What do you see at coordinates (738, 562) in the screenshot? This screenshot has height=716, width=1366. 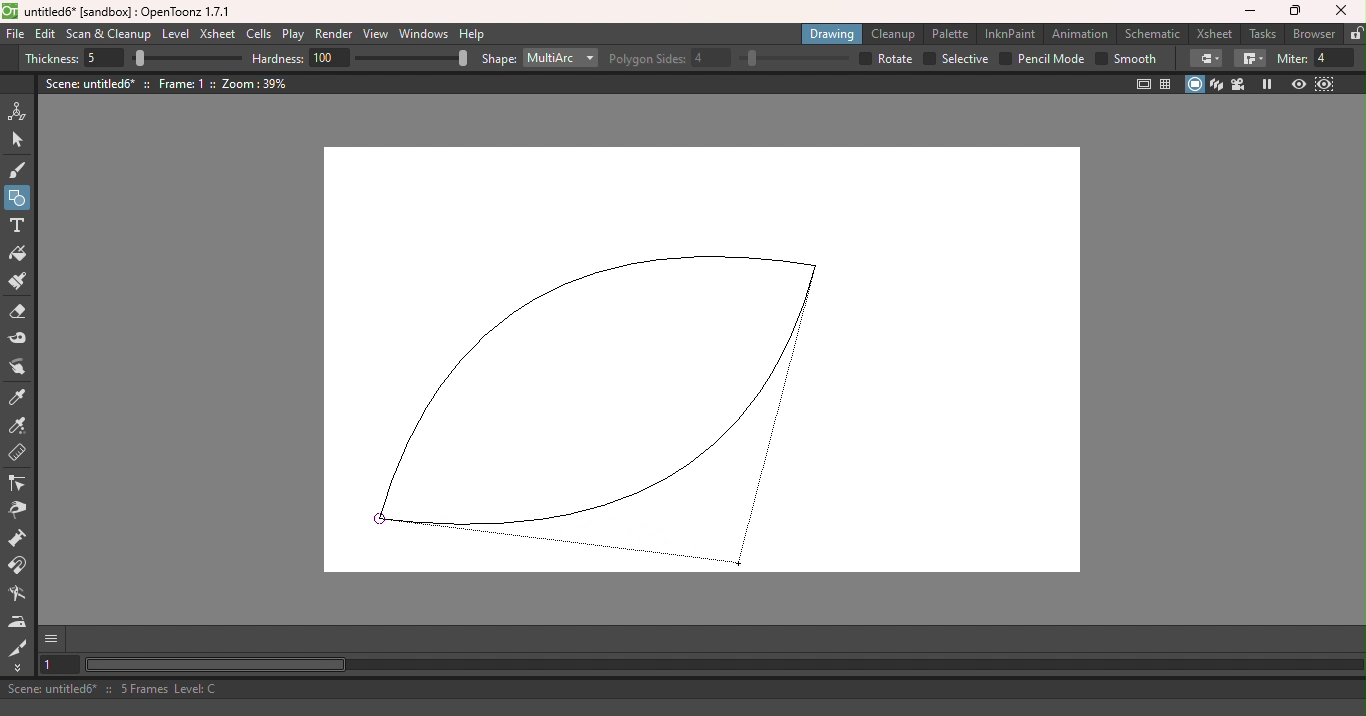 I see `Cursor` at bounding box center [738, 562].